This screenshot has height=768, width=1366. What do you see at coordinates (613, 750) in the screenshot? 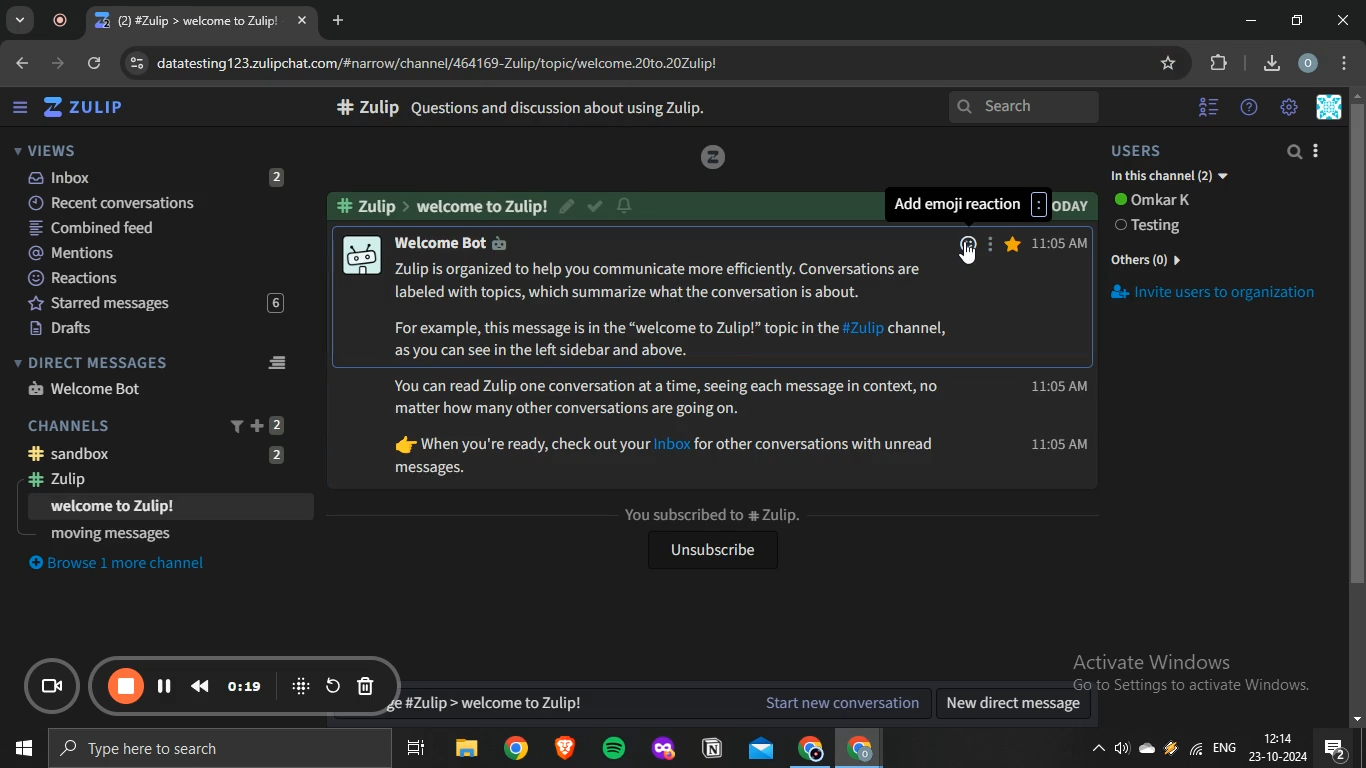
I see `spotify` at bounding box center [613, 750].